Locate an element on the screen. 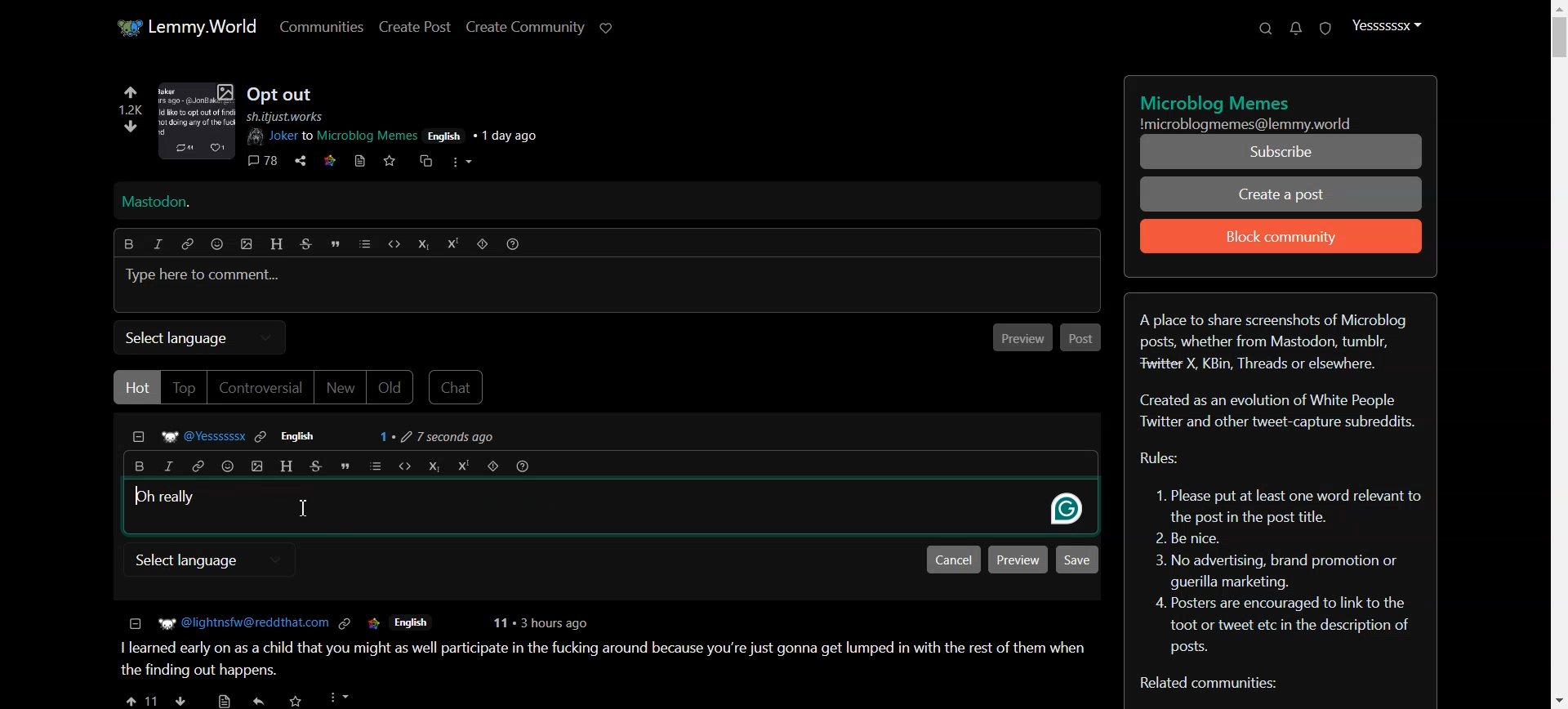 Image resolution: width=1568 pixels, height=709 pixels. share is located at coordinates (260, 698).